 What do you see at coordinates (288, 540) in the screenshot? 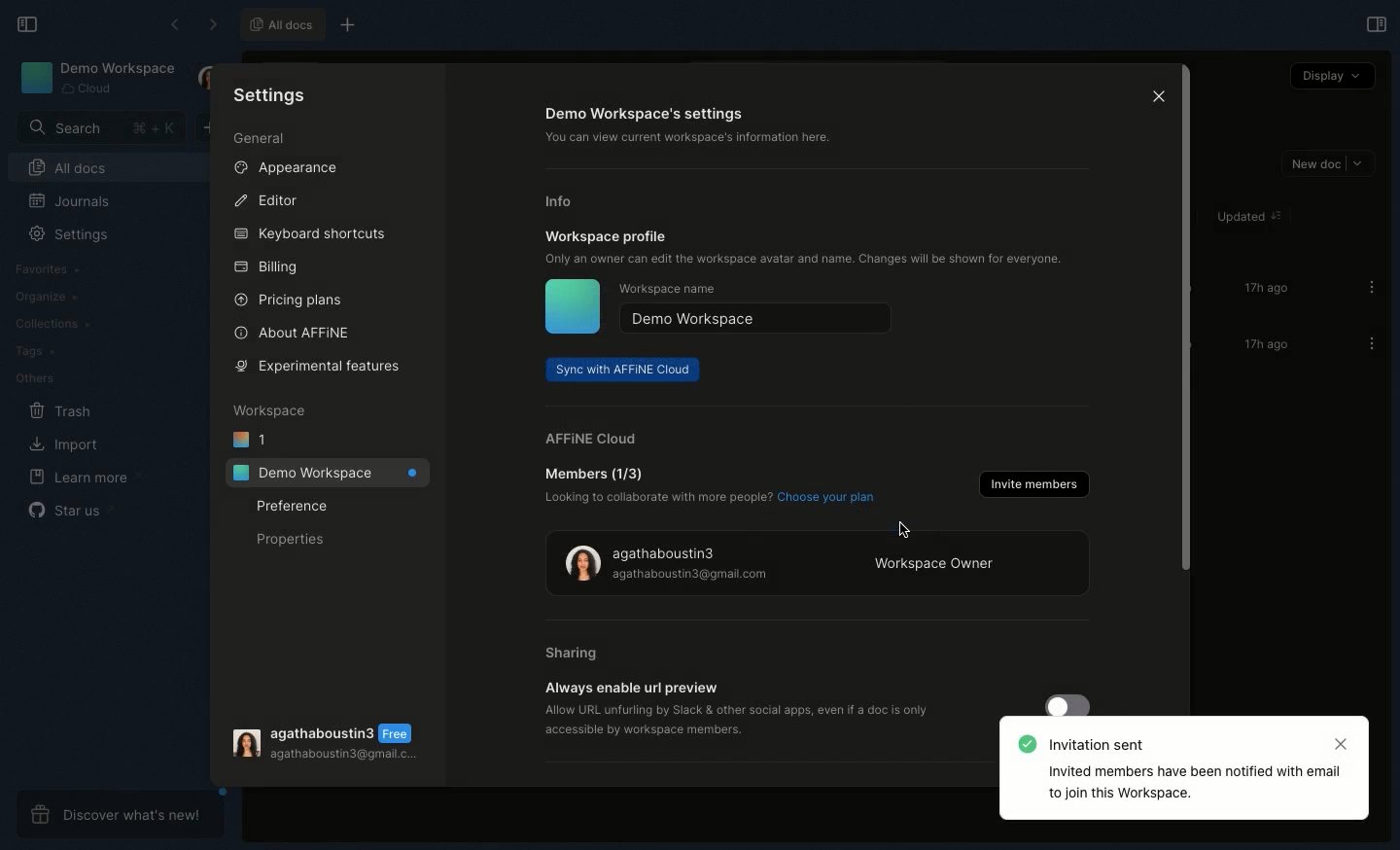
I see `Properties` at bounding box center [288, 540].